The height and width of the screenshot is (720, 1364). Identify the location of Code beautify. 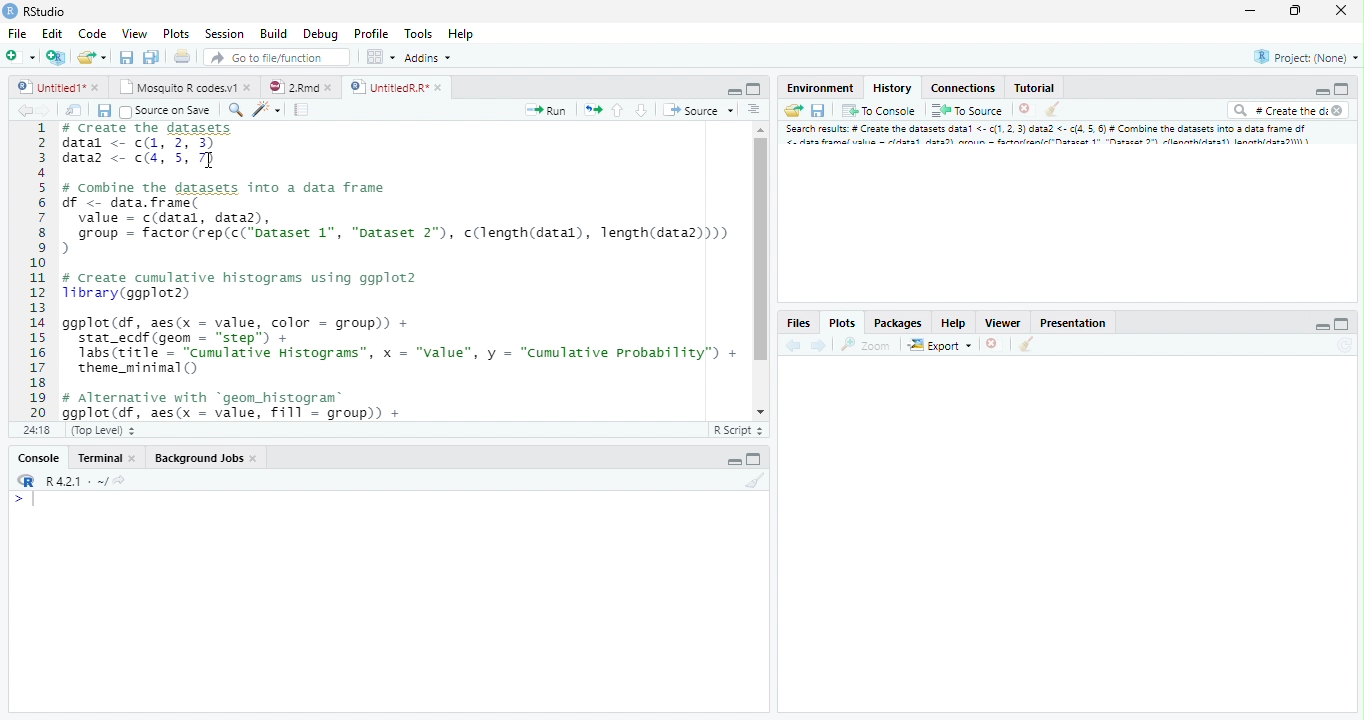
(269, 110).